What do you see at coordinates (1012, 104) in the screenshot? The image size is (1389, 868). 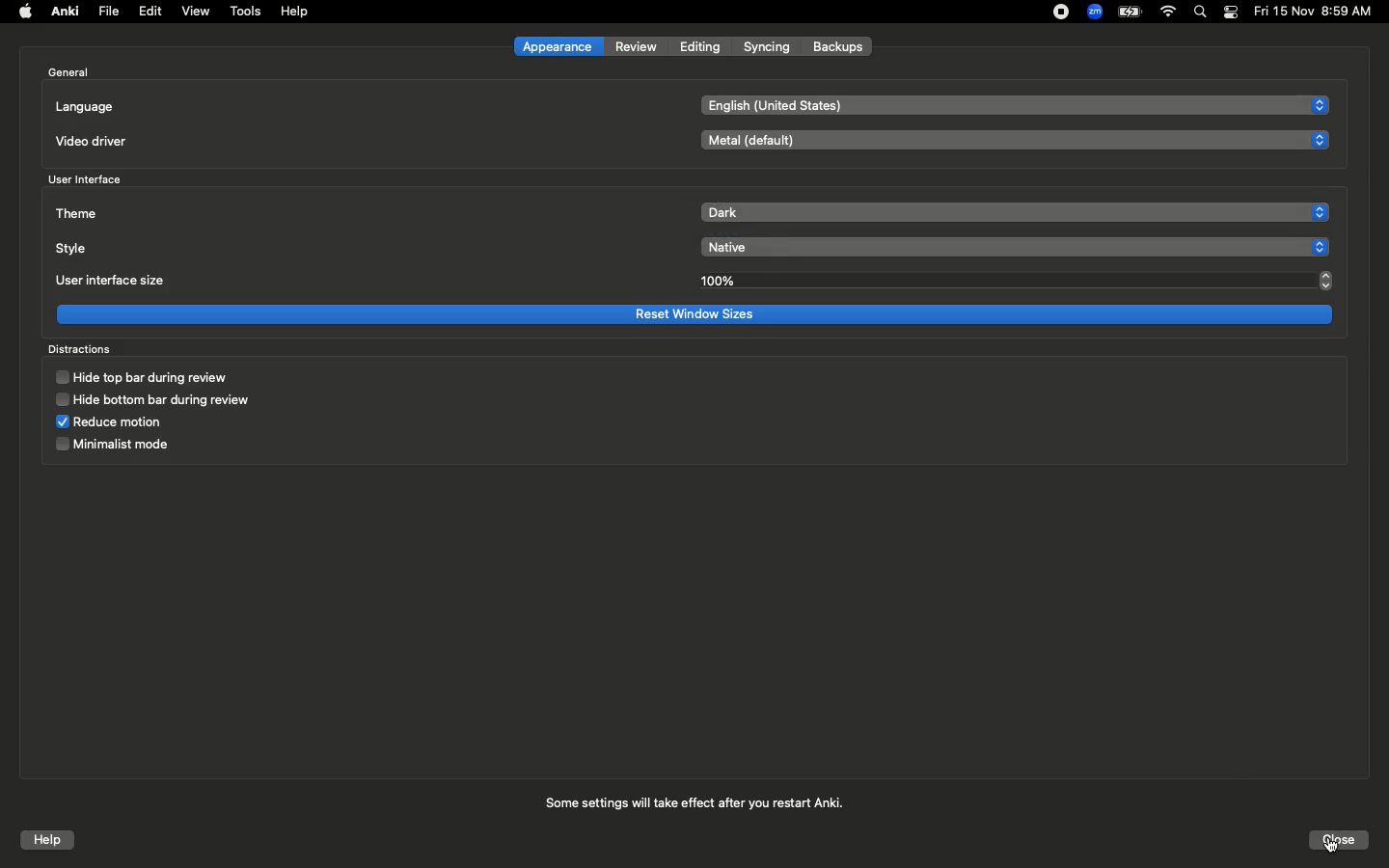 I see `English US` at bounding box center [1012, 104].